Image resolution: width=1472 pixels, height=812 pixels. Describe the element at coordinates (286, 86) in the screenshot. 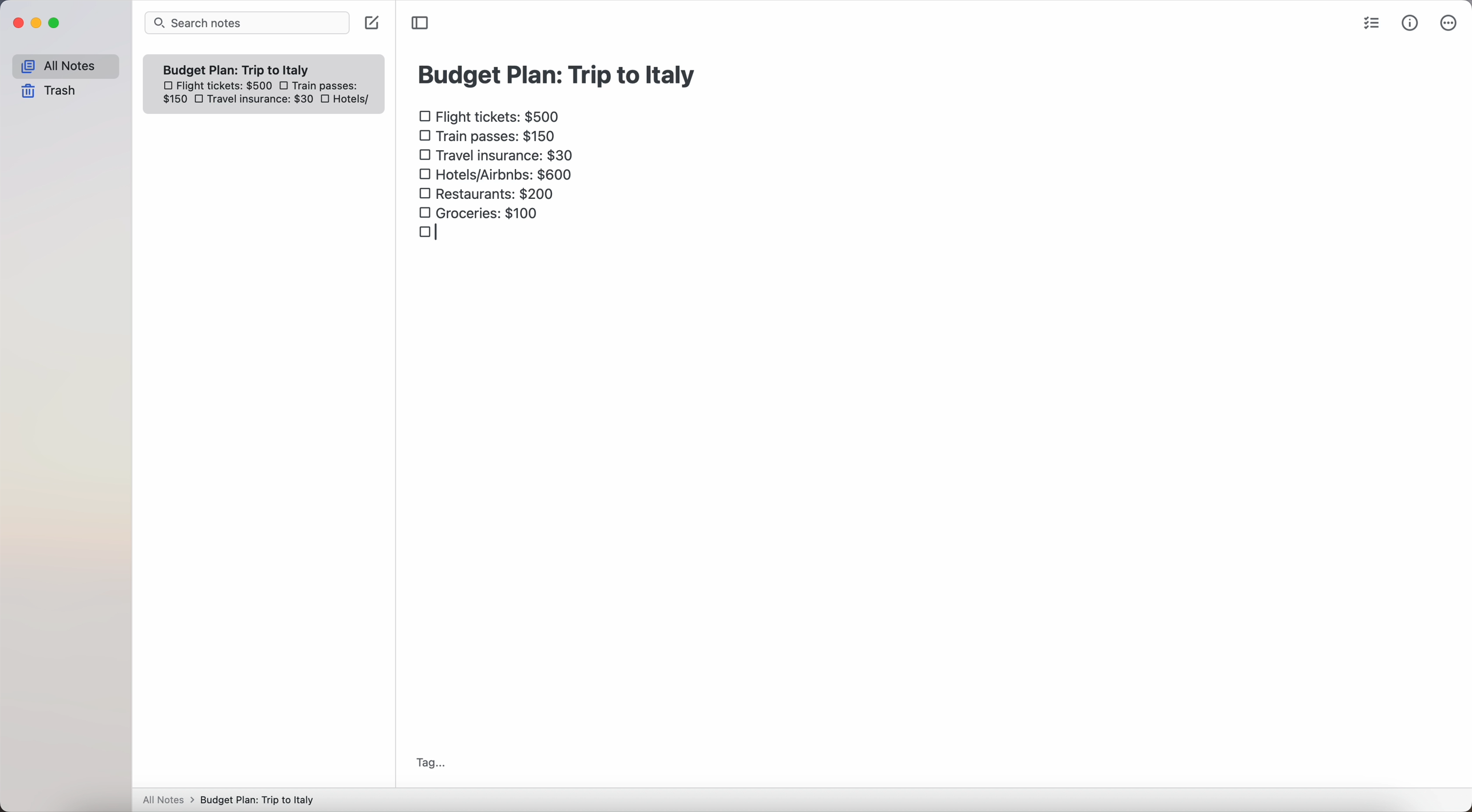

I see `checkbox` at that location.